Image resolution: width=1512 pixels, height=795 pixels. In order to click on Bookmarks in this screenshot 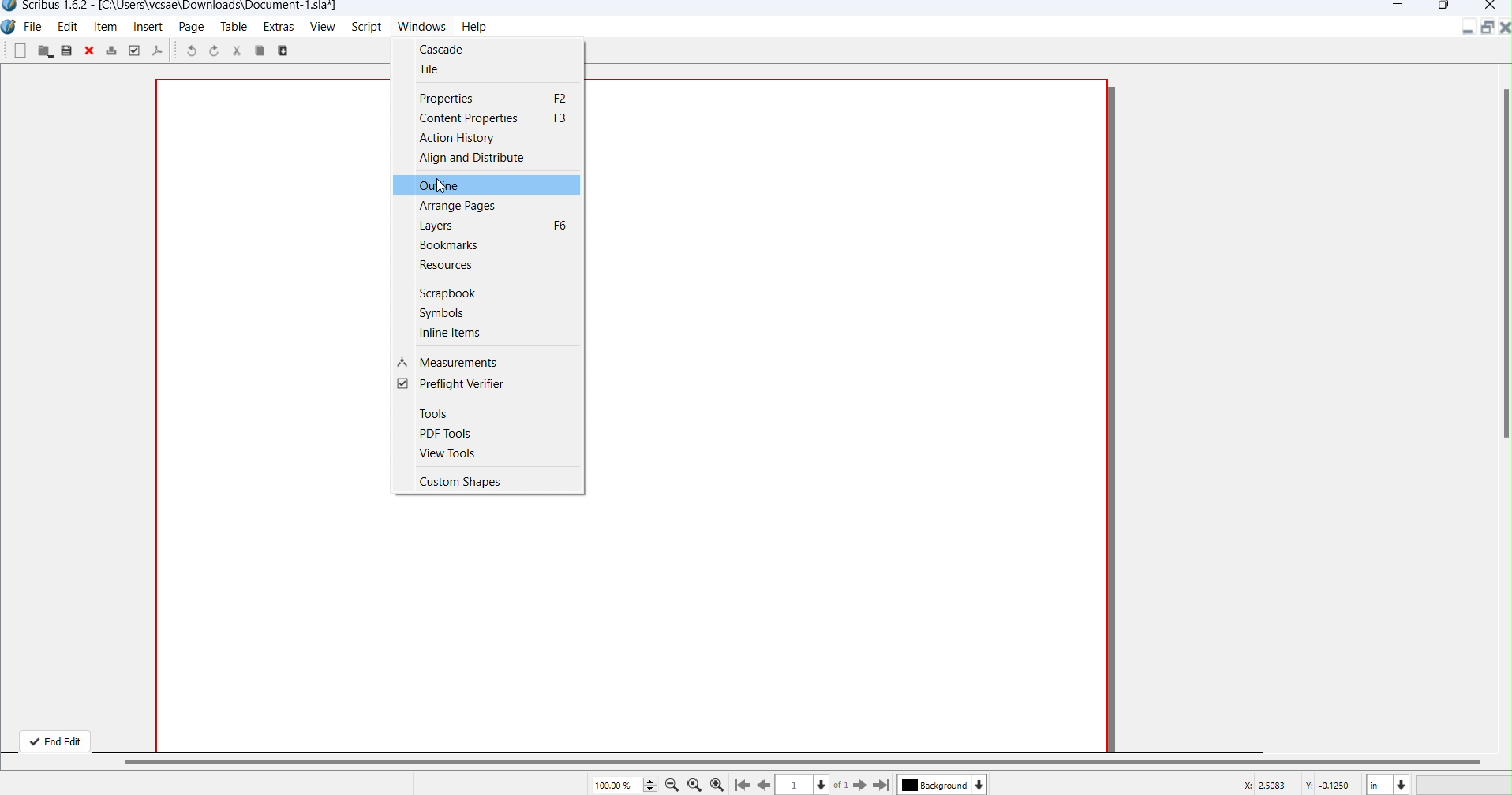, I will do `click(456, 246)`.